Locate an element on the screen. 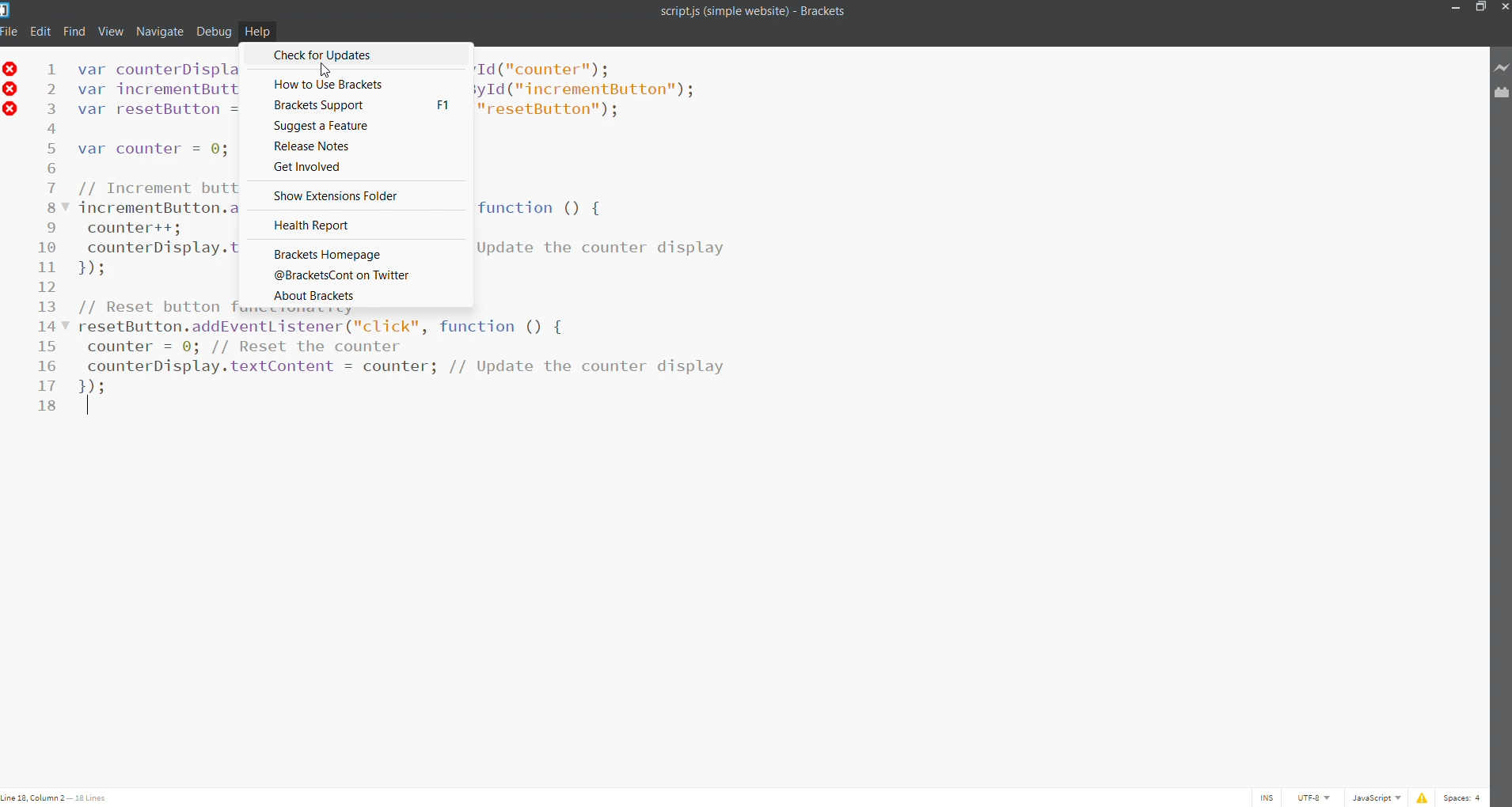 This screenshot has width=1512, height=807. help is located at coordinates (256, 31).